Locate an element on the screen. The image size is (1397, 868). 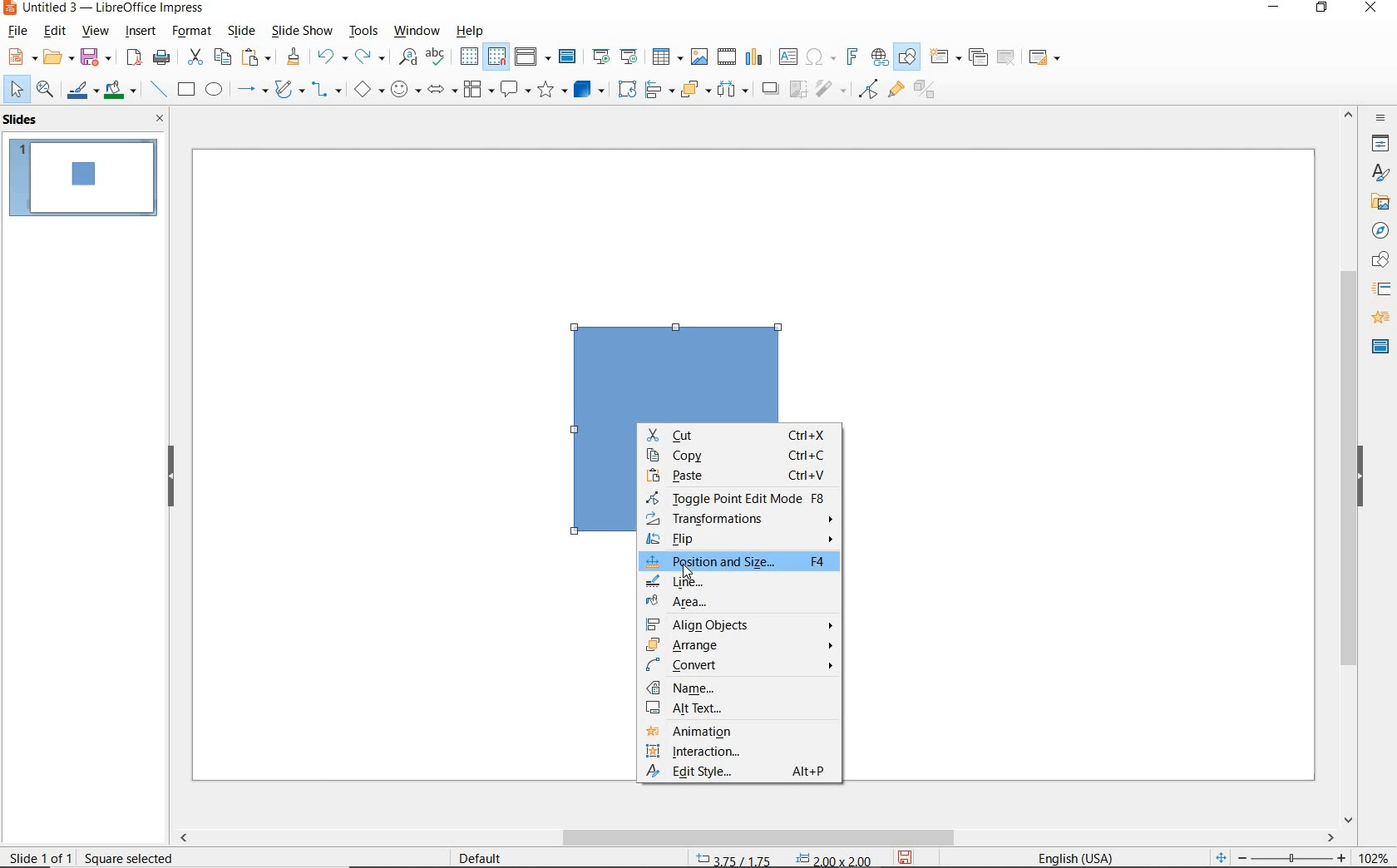
insert audio or video is located at coordinates (728, 57).